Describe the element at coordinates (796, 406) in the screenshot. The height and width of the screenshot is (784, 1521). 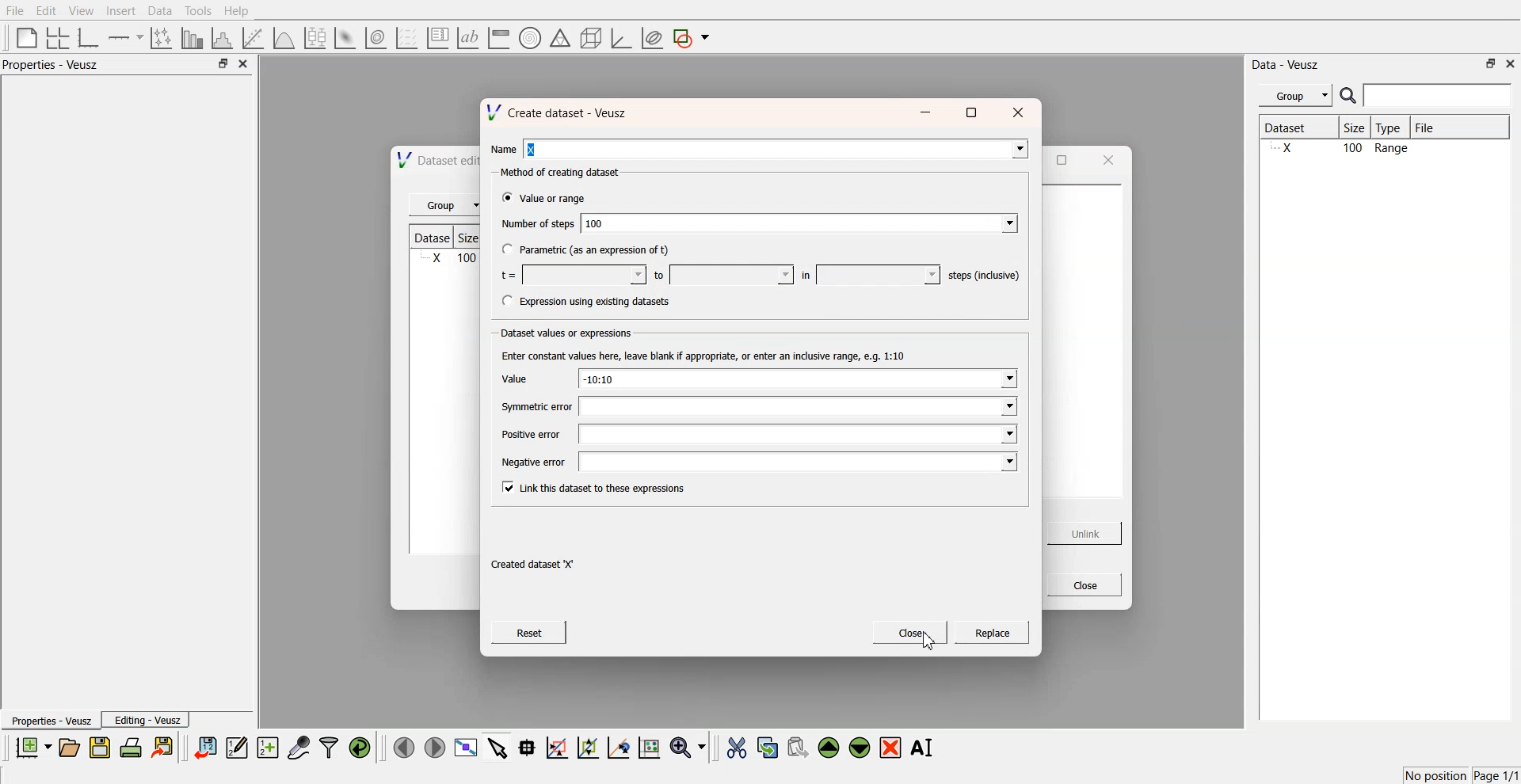
I see `Symmetric error field` at that location.